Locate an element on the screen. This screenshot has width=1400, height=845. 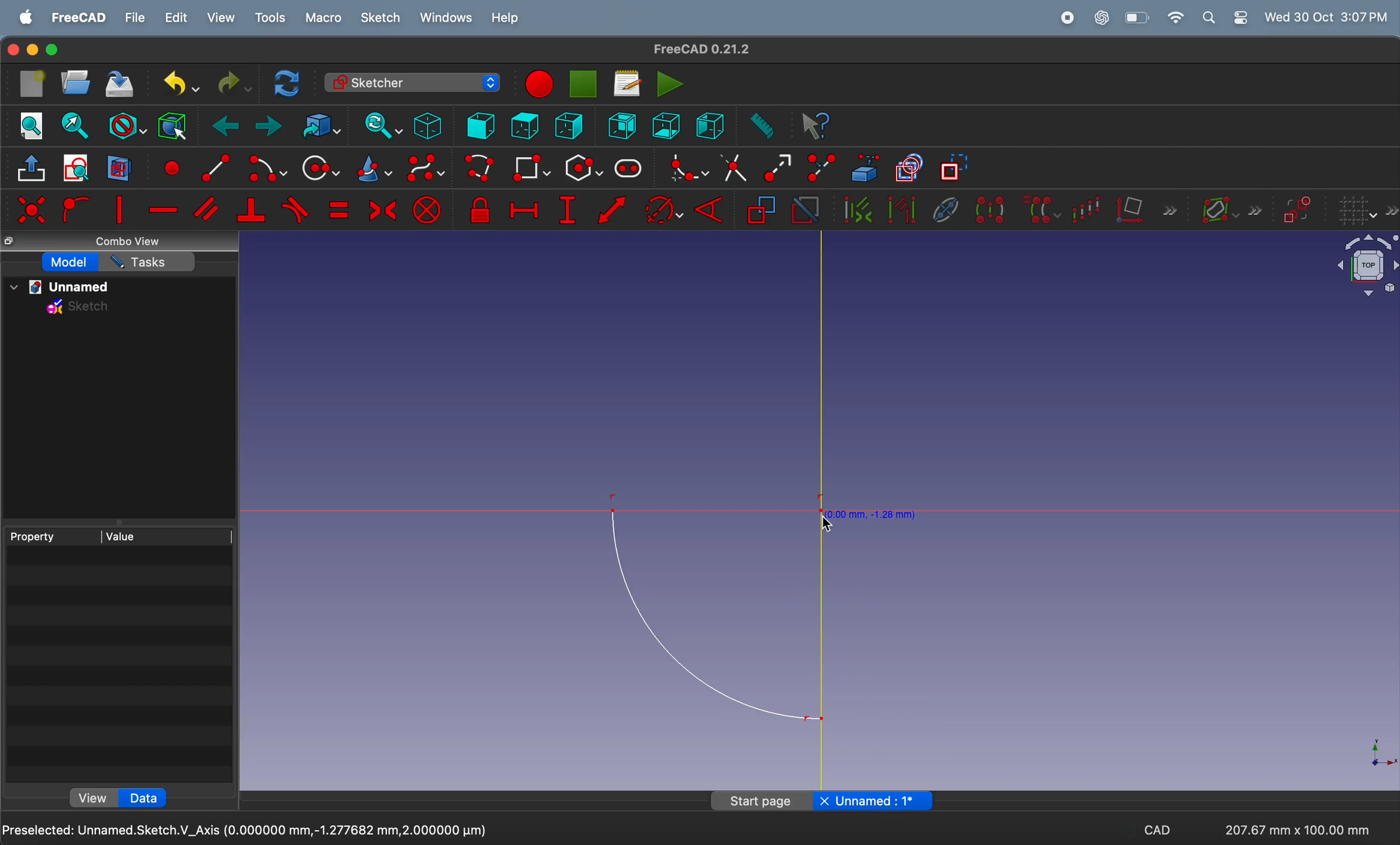
cad is located at coordinates (1157, 833).